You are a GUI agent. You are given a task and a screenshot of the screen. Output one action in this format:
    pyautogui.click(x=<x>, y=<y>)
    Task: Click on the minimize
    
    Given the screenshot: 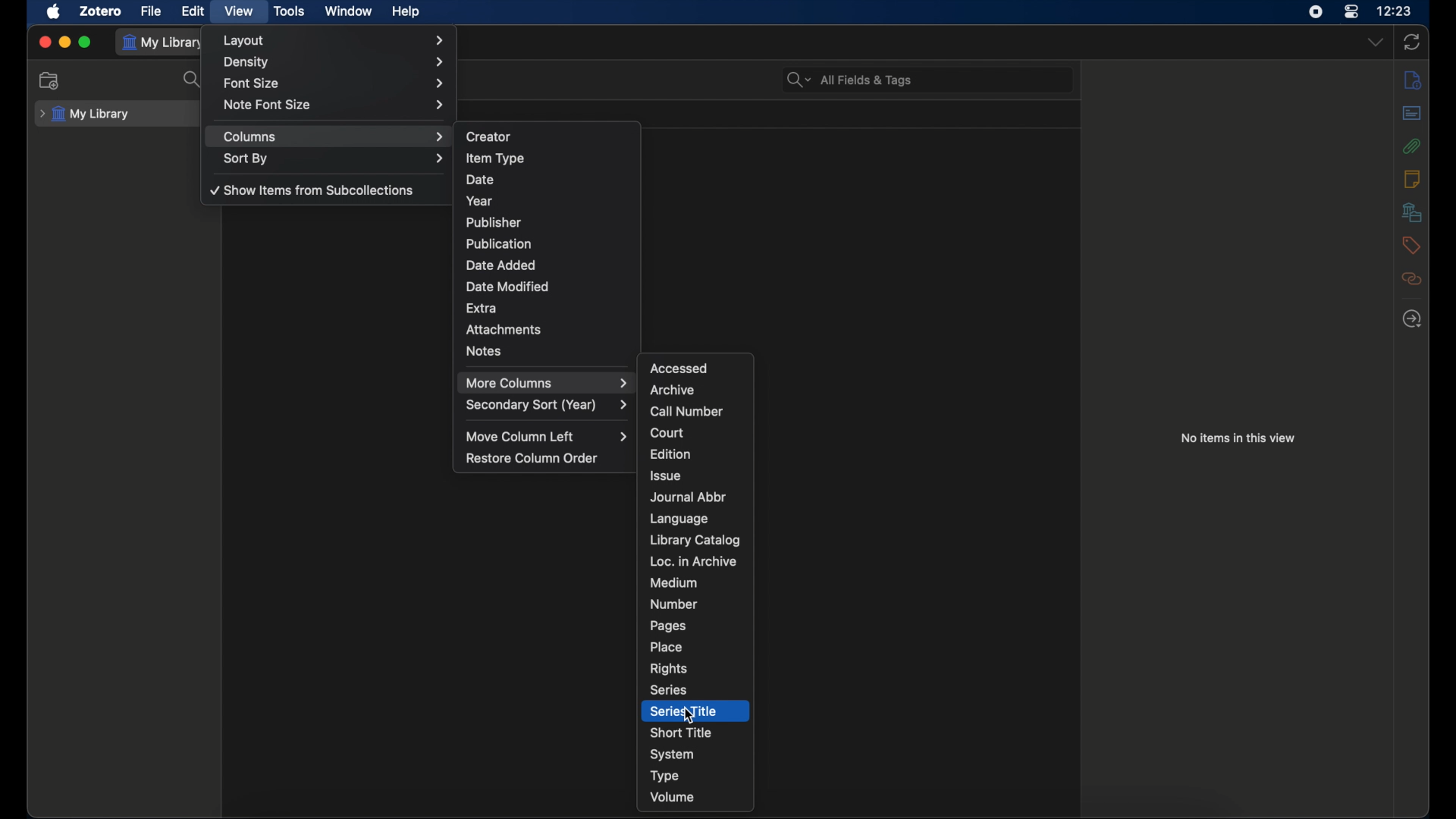 What is the action you would take?
    pyautogui.click(x=65, y=42)
    